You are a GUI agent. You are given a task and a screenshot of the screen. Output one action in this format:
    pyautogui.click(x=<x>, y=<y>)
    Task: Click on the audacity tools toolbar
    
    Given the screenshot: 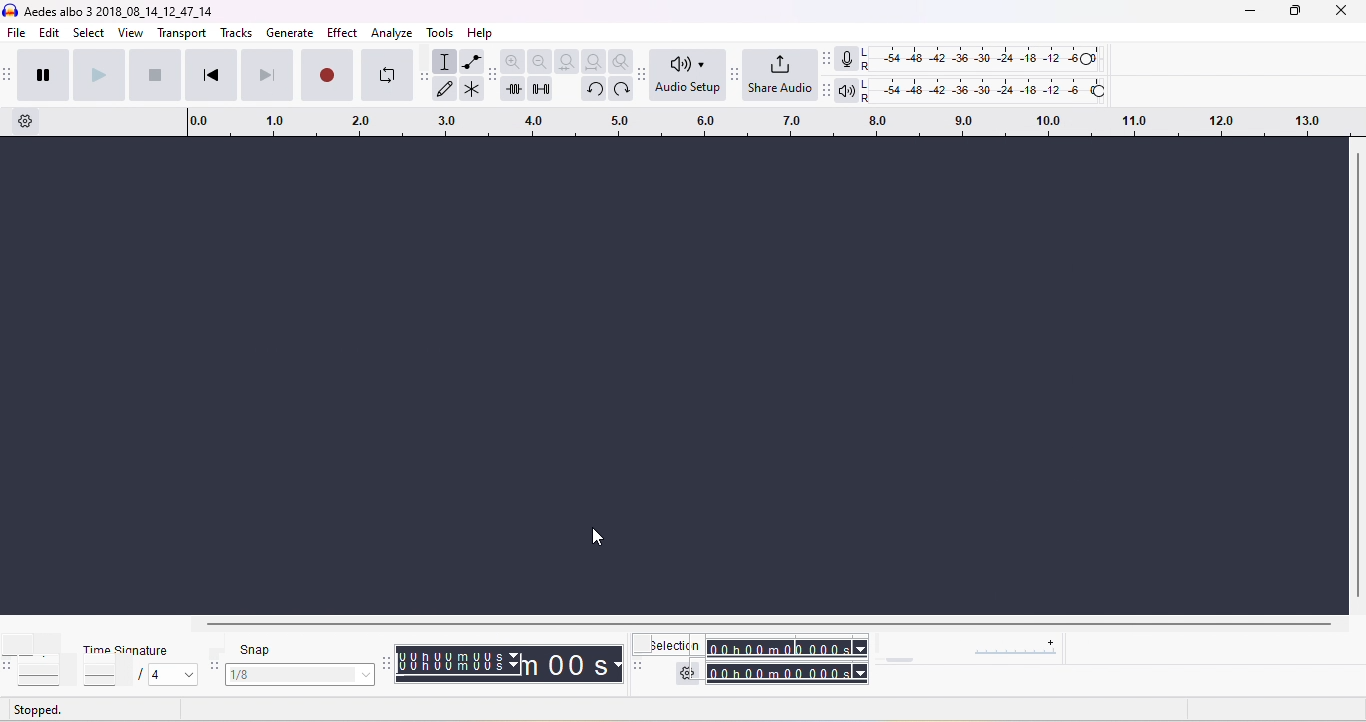 What is the action you would take?
    pyautogui.click(x=427, y=74)
    